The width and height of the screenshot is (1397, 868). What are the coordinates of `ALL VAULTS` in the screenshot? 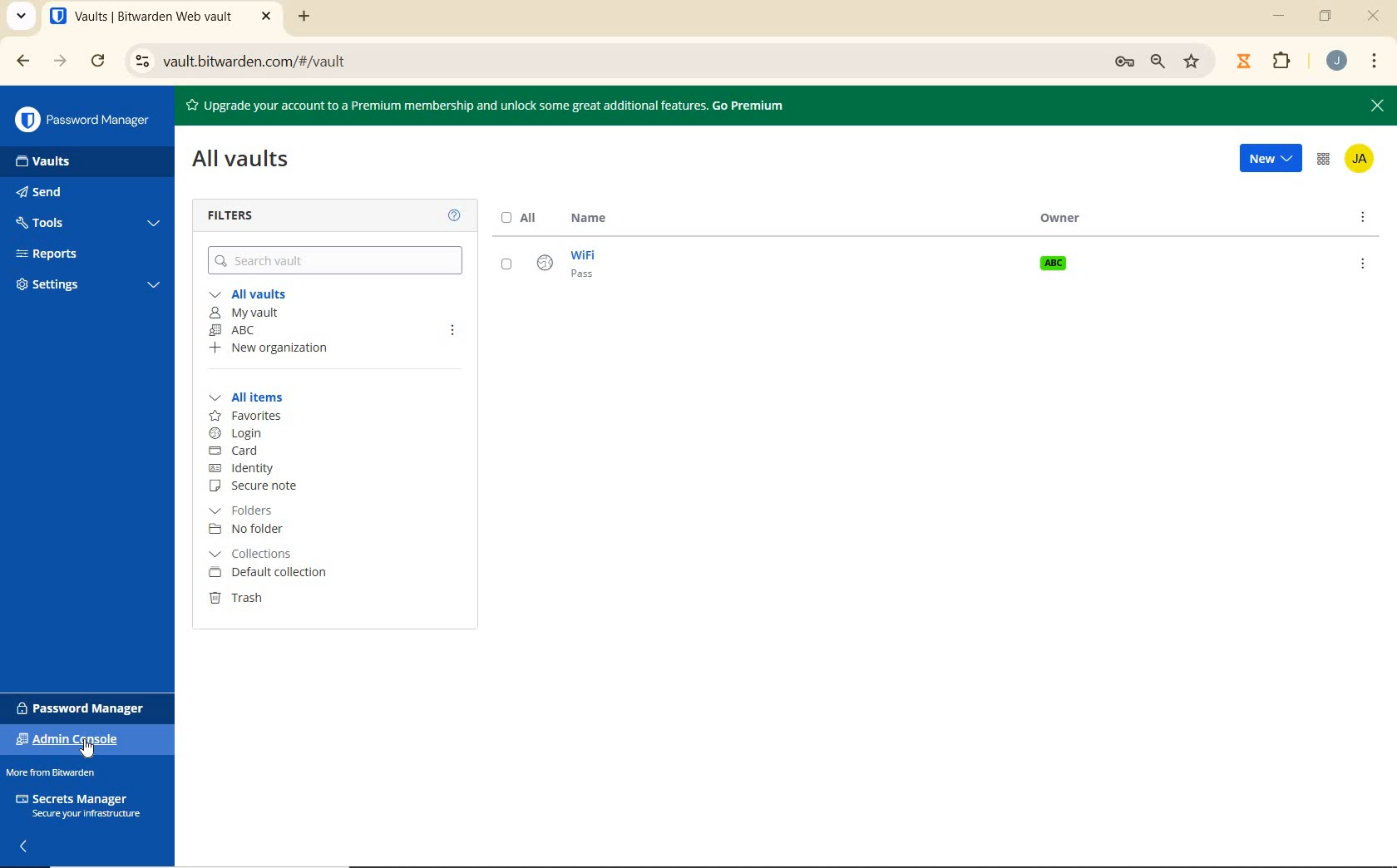 It's located at (246, 165).